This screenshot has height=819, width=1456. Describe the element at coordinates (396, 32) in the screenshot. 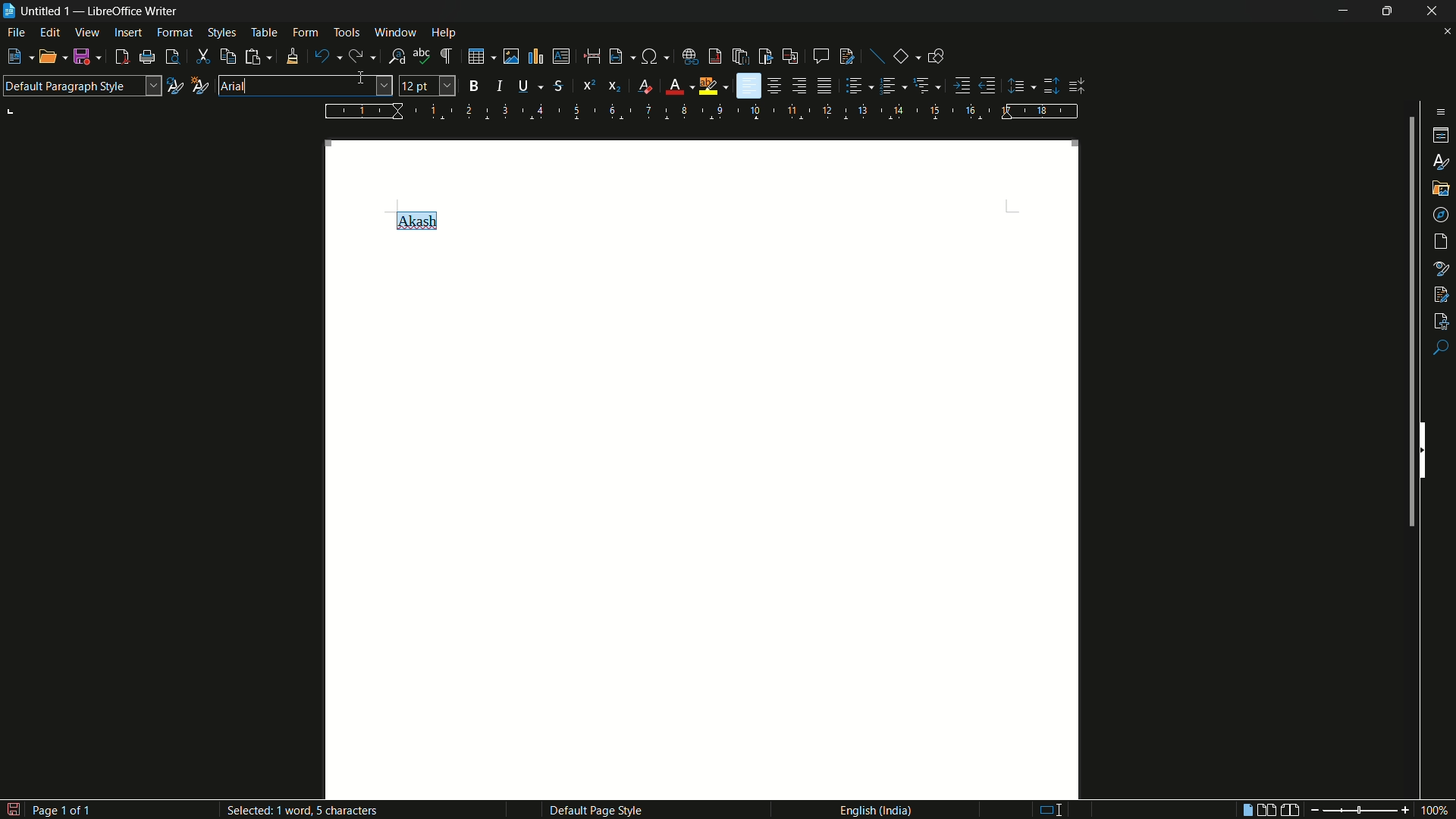

I see `window menu` at that location.